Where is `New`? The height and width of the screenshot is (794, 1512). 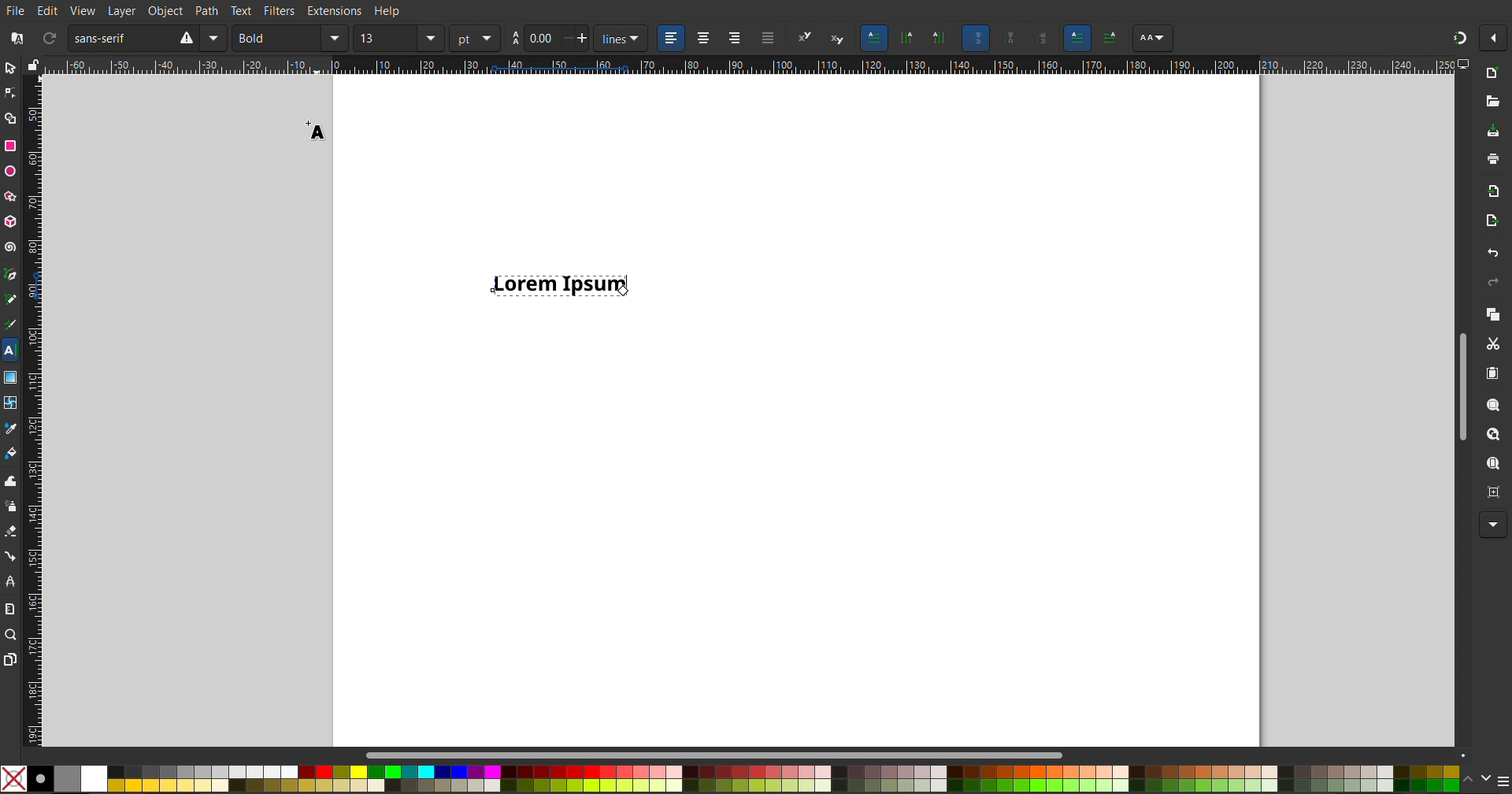
New is located at coordinates (1492, 74).